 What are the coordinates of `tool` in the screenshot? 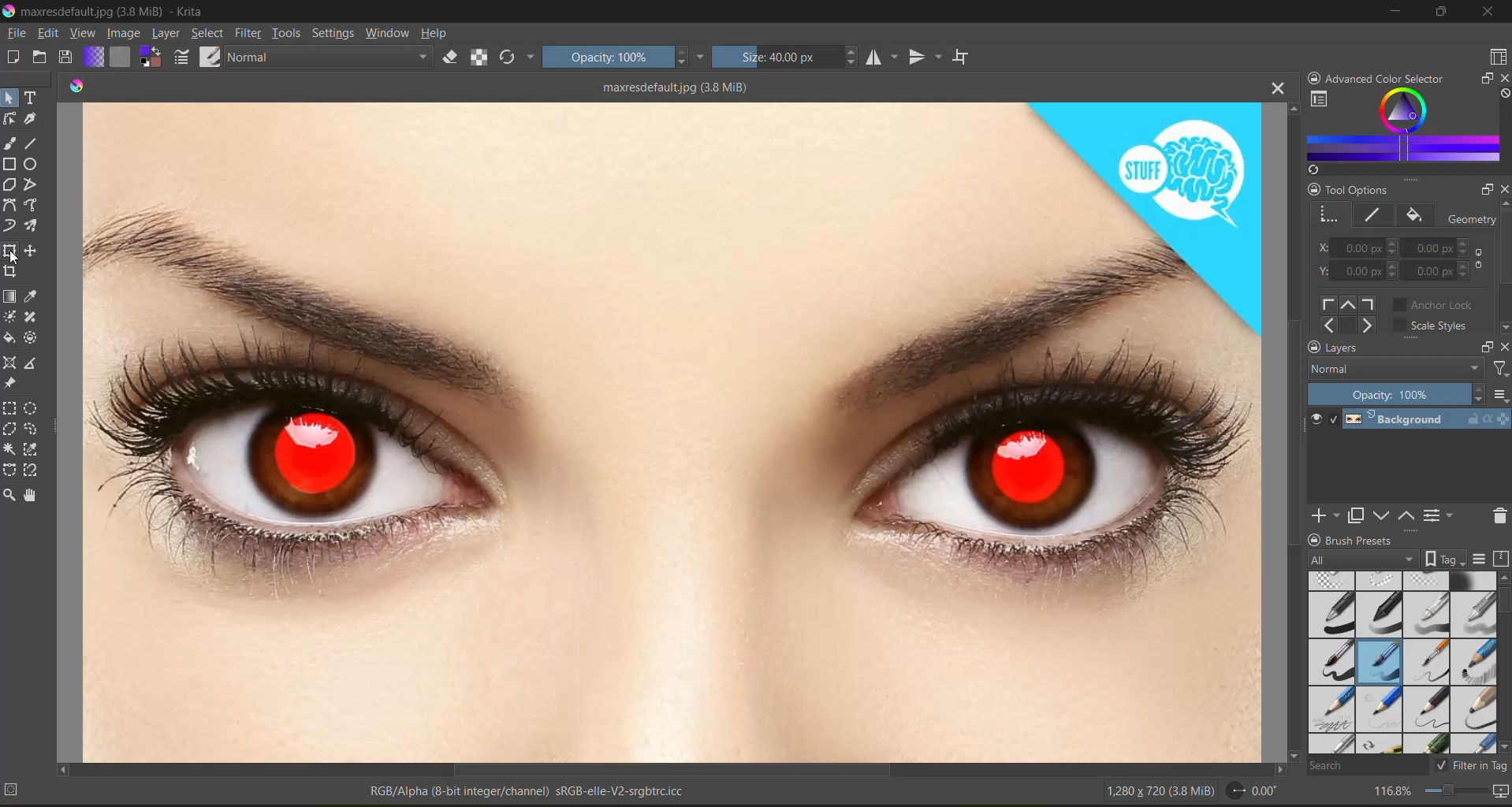 It's located at (12, 364).